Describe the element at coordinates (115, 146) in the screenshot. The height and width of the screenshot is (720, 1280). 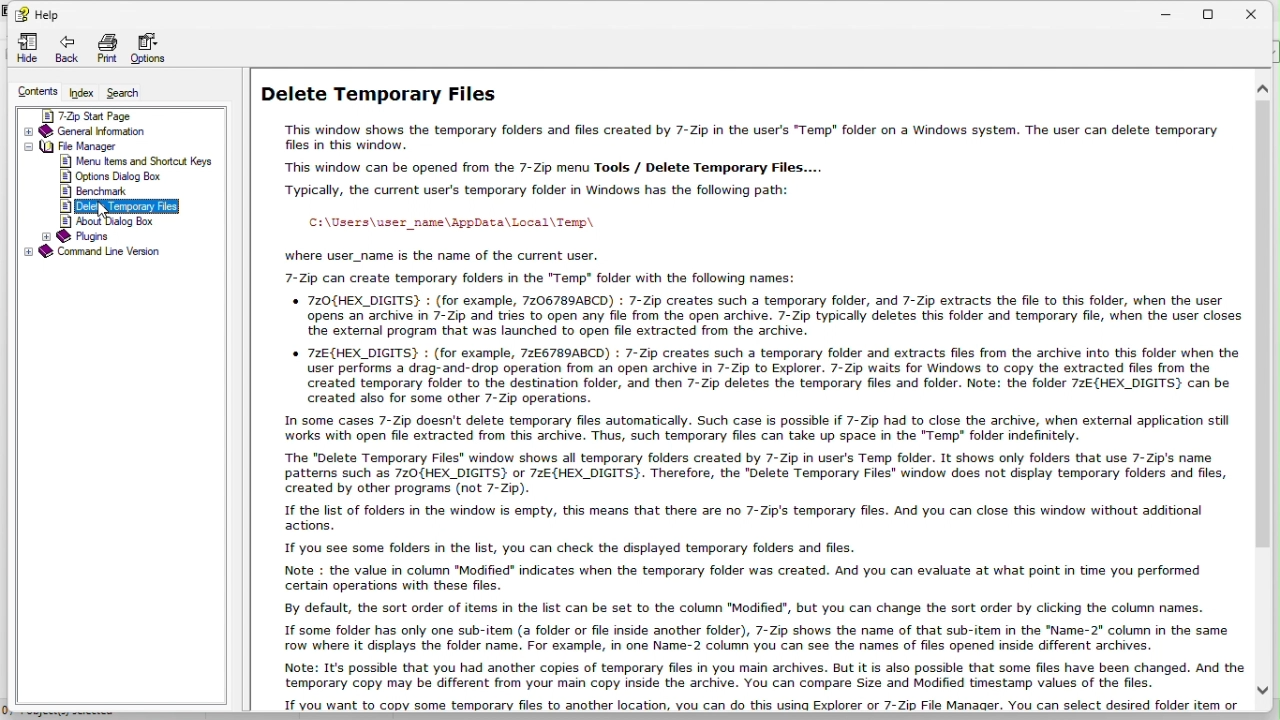
I see `File manager` at that location.